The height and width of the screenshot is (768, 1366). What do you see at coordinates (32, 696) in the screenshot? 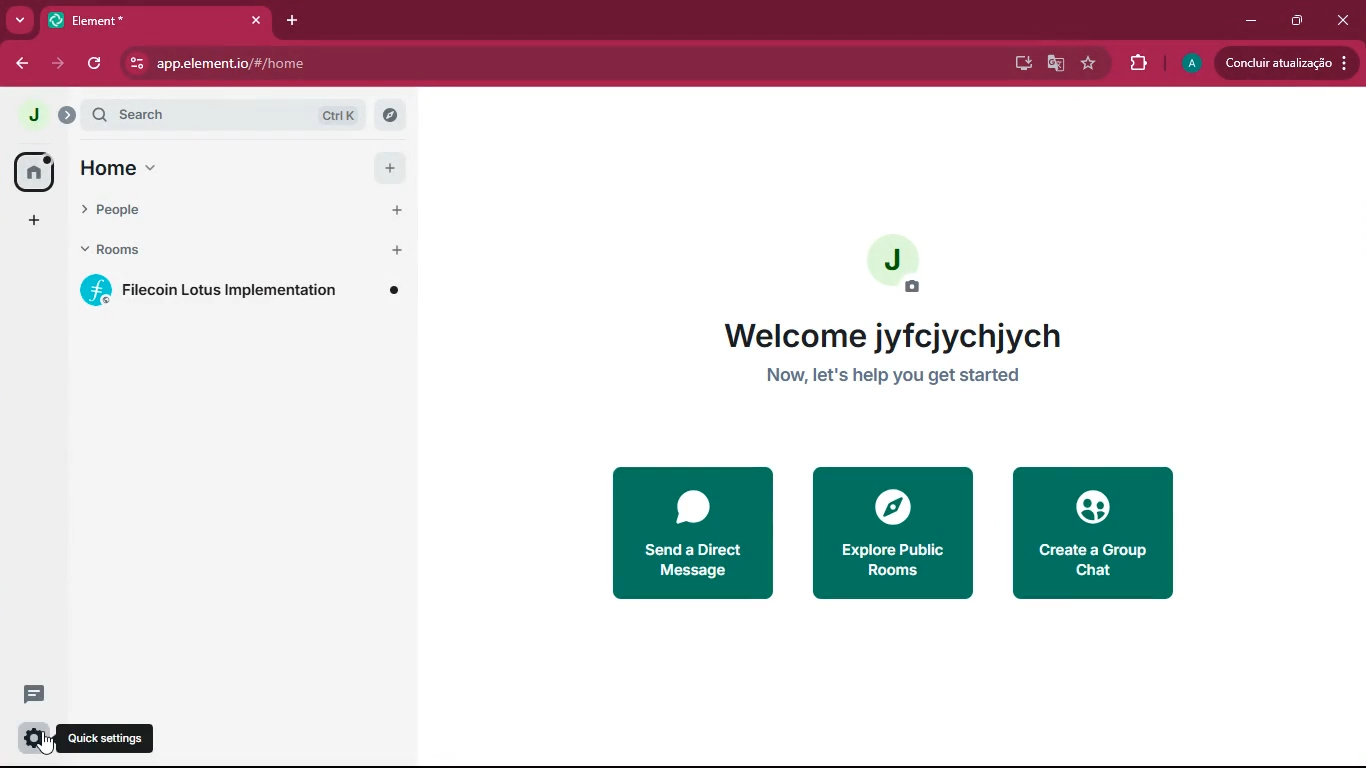
I see `comments` at bounding box center [32, 696].